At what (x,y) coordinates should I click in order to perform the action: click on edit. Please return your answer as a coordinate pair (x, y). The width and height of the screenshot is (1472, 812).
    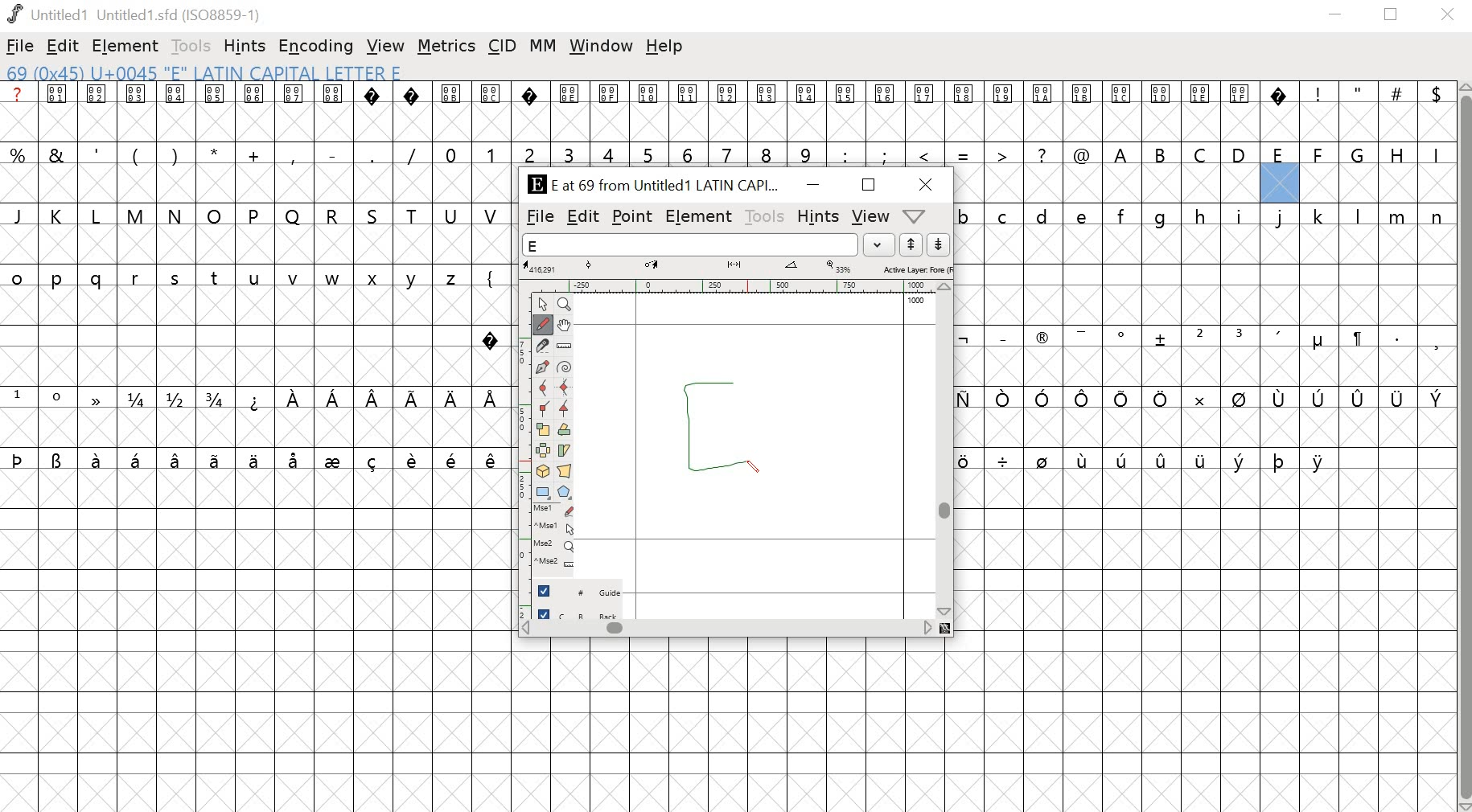
    Looking at the image, I should click on (64, 46).